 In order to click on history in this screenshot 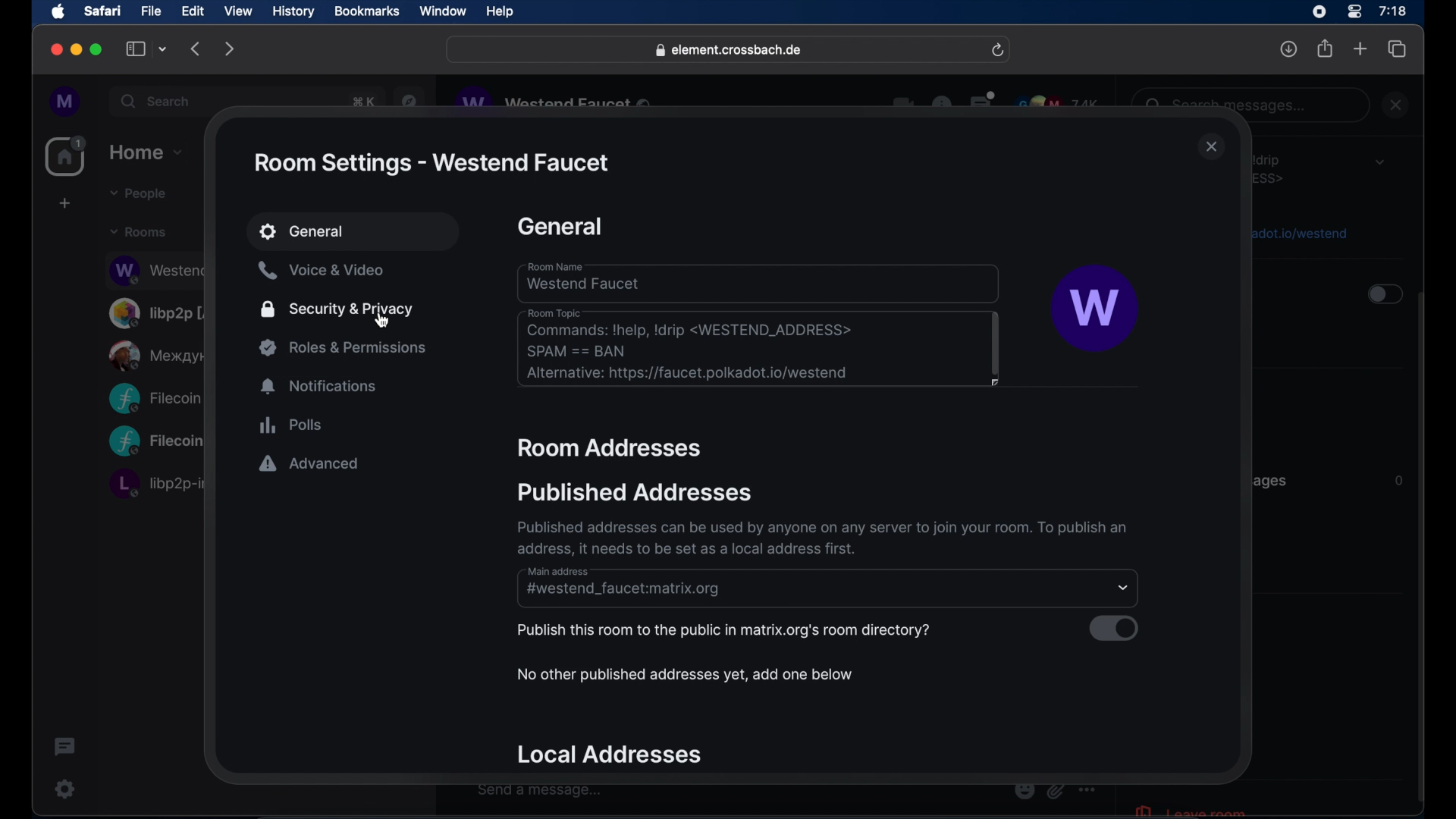, I will do `click(293, 12)`.